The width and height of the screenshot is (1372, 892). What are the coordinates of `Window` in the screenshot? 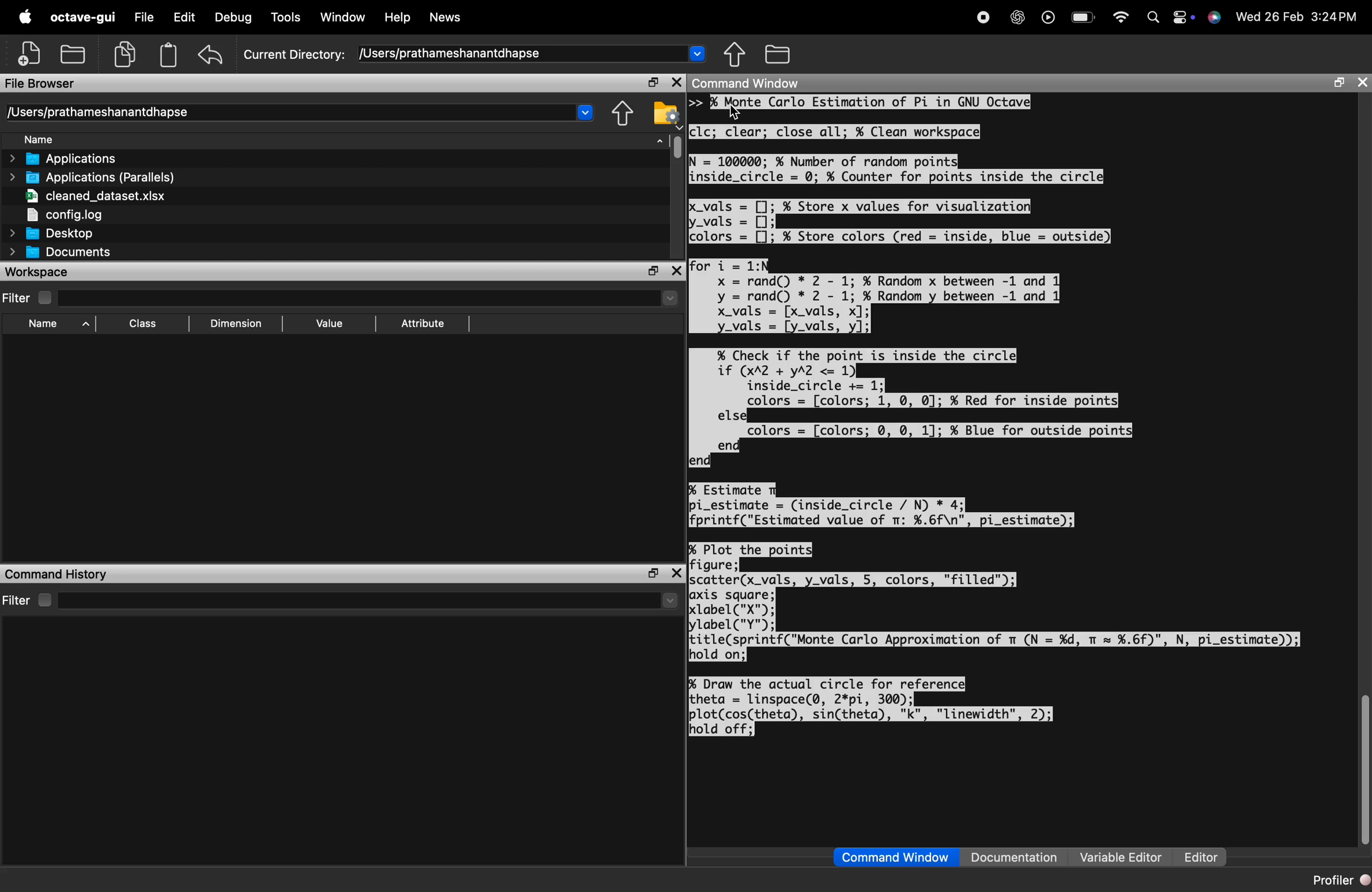 It's located at (344, 17).